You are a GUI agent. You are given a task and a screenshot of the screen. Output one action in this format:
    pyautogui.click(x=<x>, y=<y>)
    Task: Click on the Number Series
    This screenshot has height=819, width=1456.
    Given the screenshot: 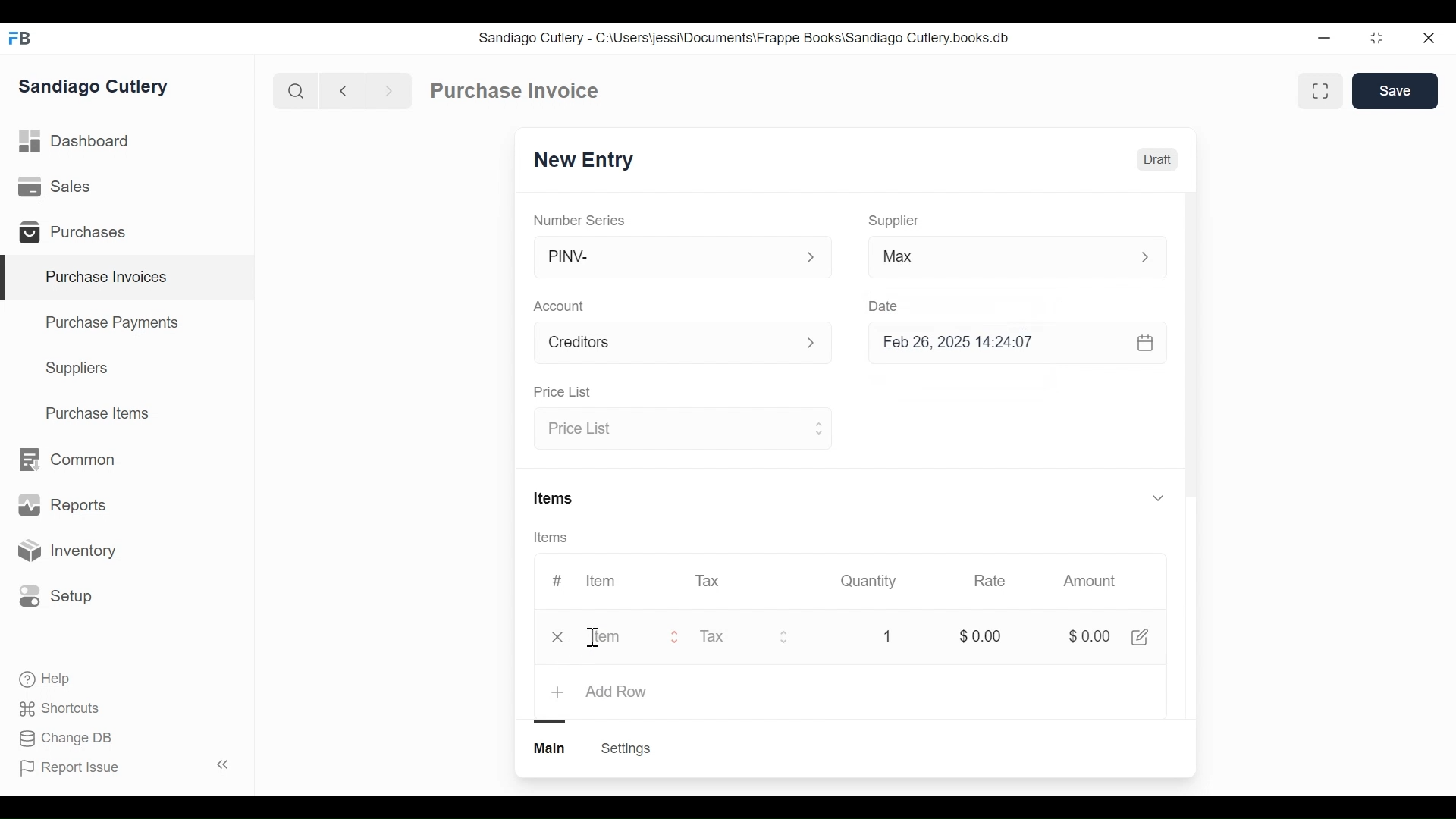 What is the action you would take?
    pyautogui.click(x=581, y=220)
    